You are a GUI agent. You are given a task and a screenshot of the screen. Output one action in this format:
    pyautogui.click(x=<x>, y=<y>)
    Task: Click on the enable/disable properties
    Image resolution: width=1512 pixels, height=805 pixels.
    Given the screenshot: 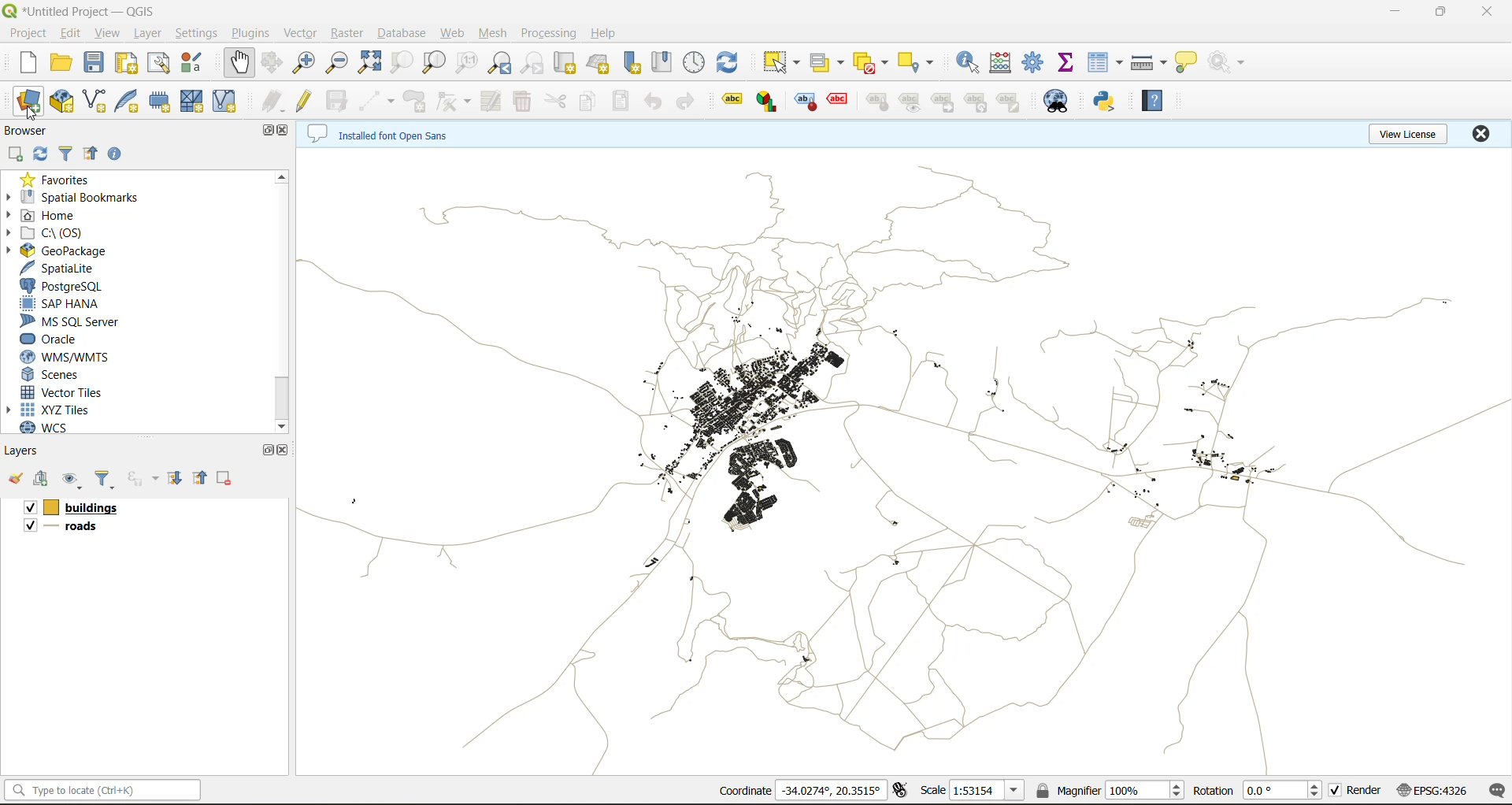 What is the action you would take?
    pyautogui.click(x=119, y=158)
    